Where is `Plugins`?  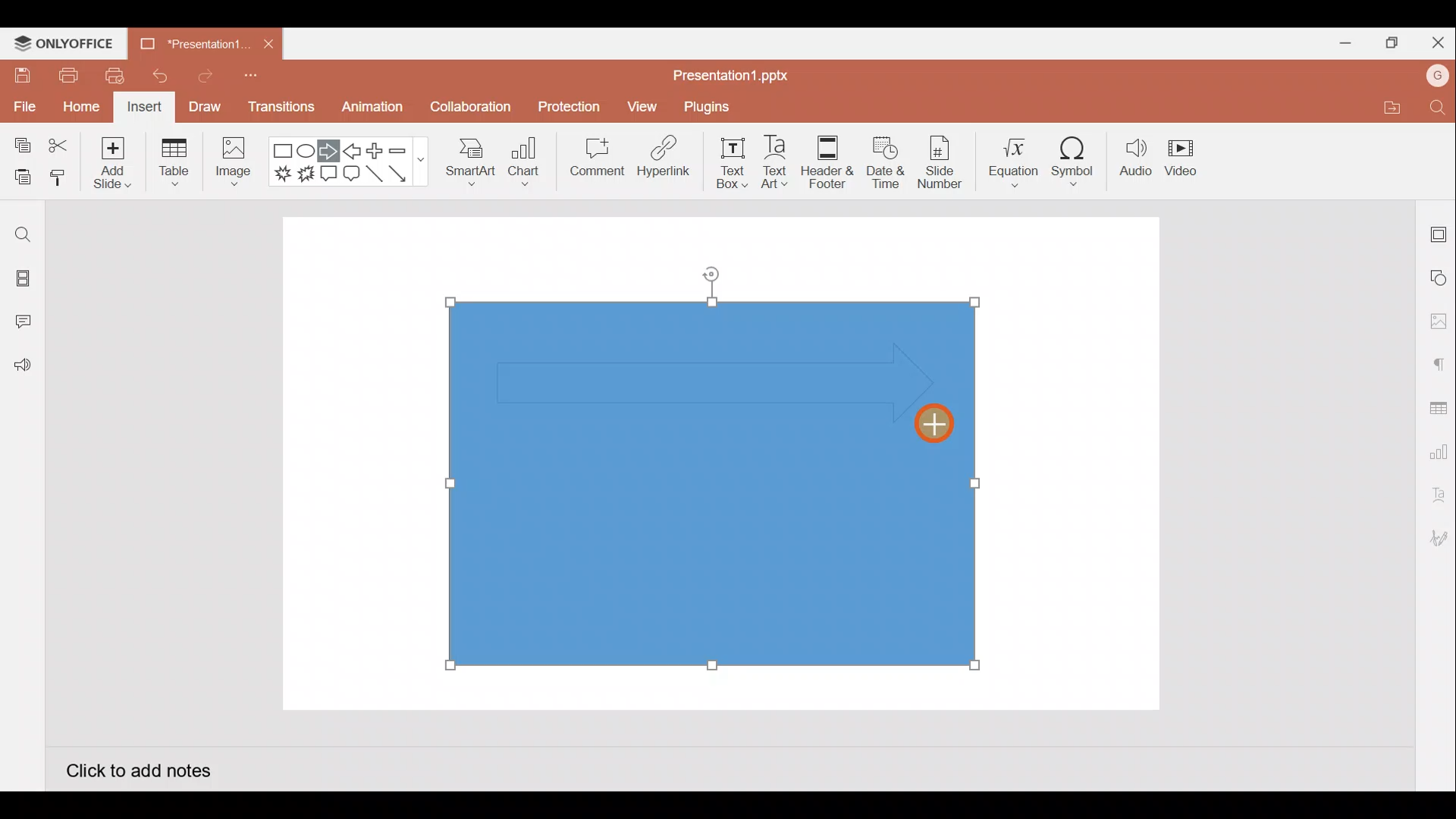 Plugins is located at coordinates (717, 105).